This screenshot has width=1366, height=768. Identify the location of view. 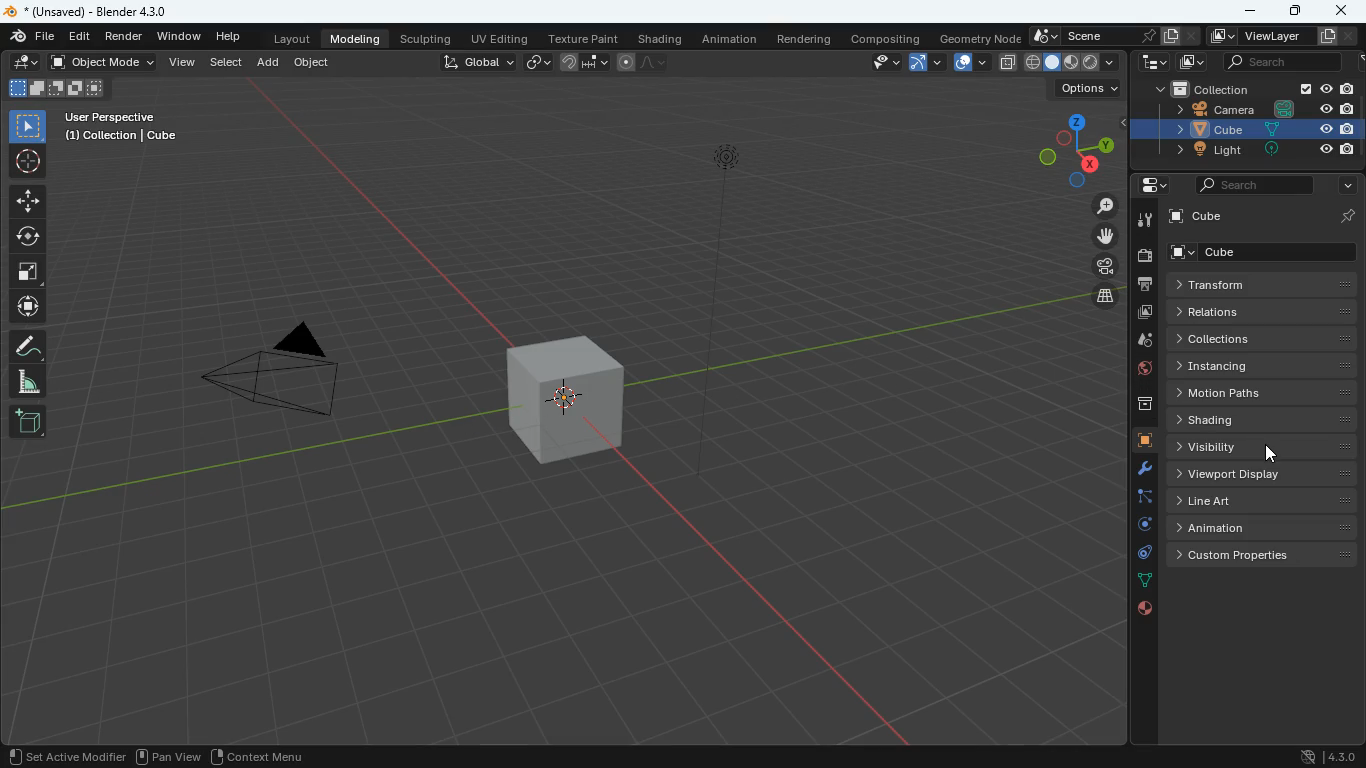
(882, 63).